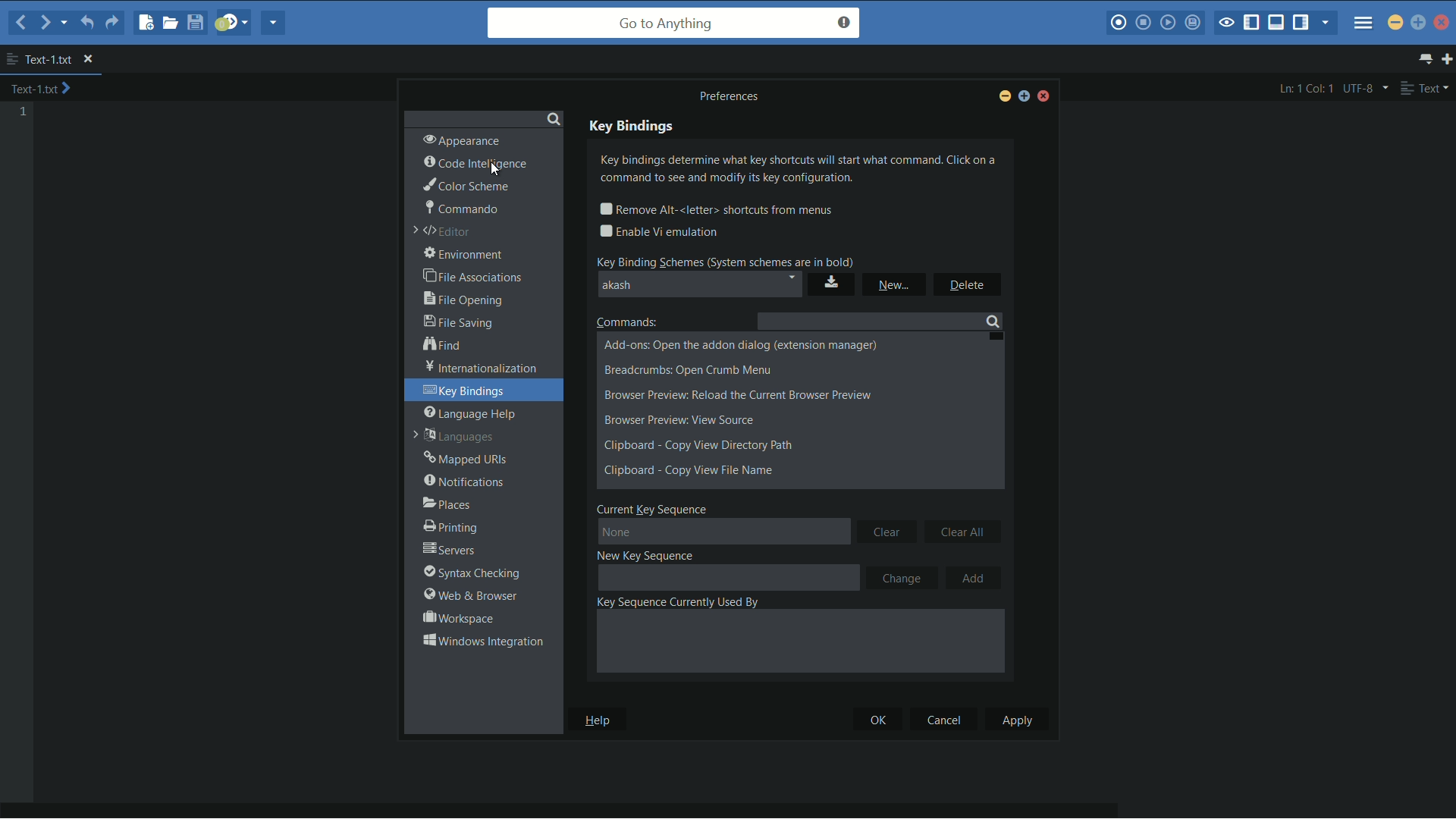 This screenshot has height=819, width=1456. I want to click on close file, so click(88, 60).